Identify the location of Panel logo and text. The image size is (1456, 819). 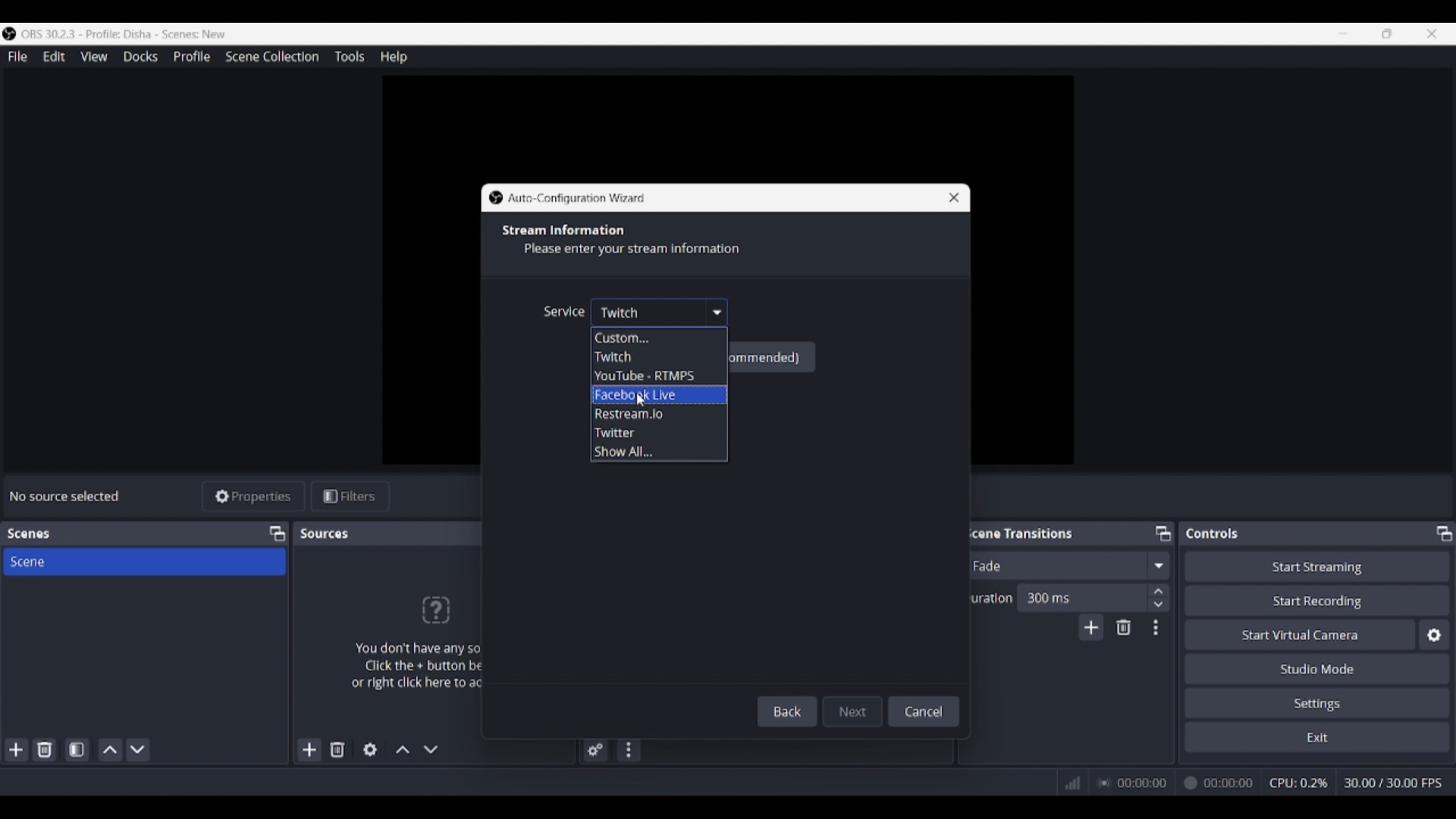
(434, 642).